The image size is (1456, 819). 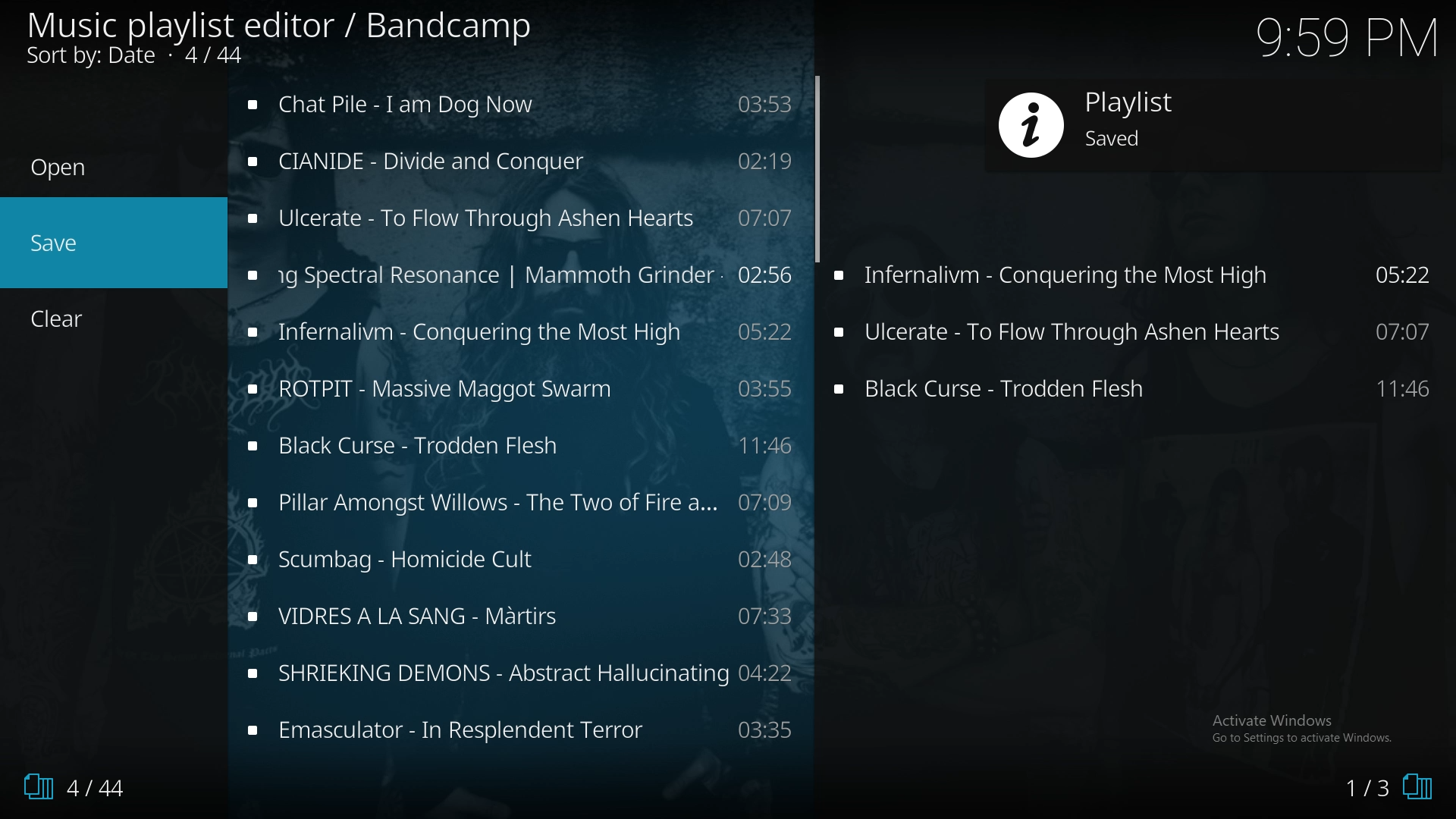 What do you see at coordinates (57, 243) in the screenshot?
I see `Save` at bounding box center [57, 243].